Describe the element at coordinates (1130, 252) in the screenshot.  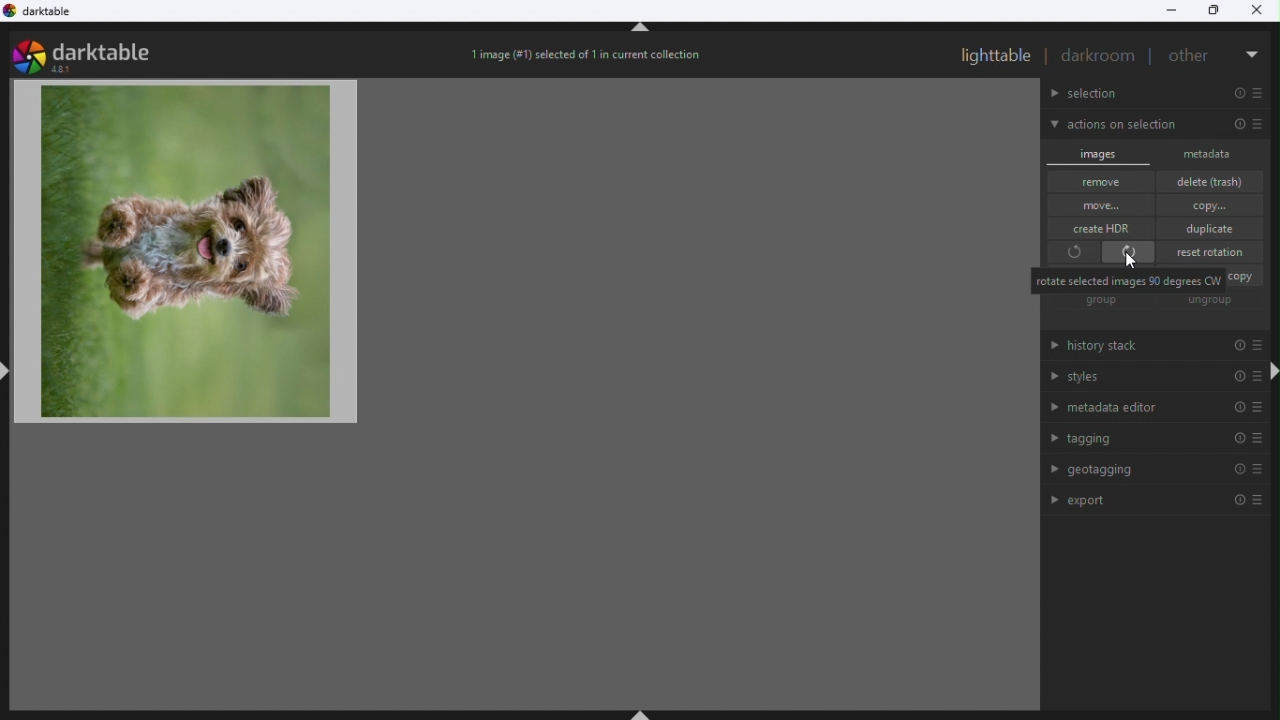
I see `Rotate 90 degrees clockwise` at that location.